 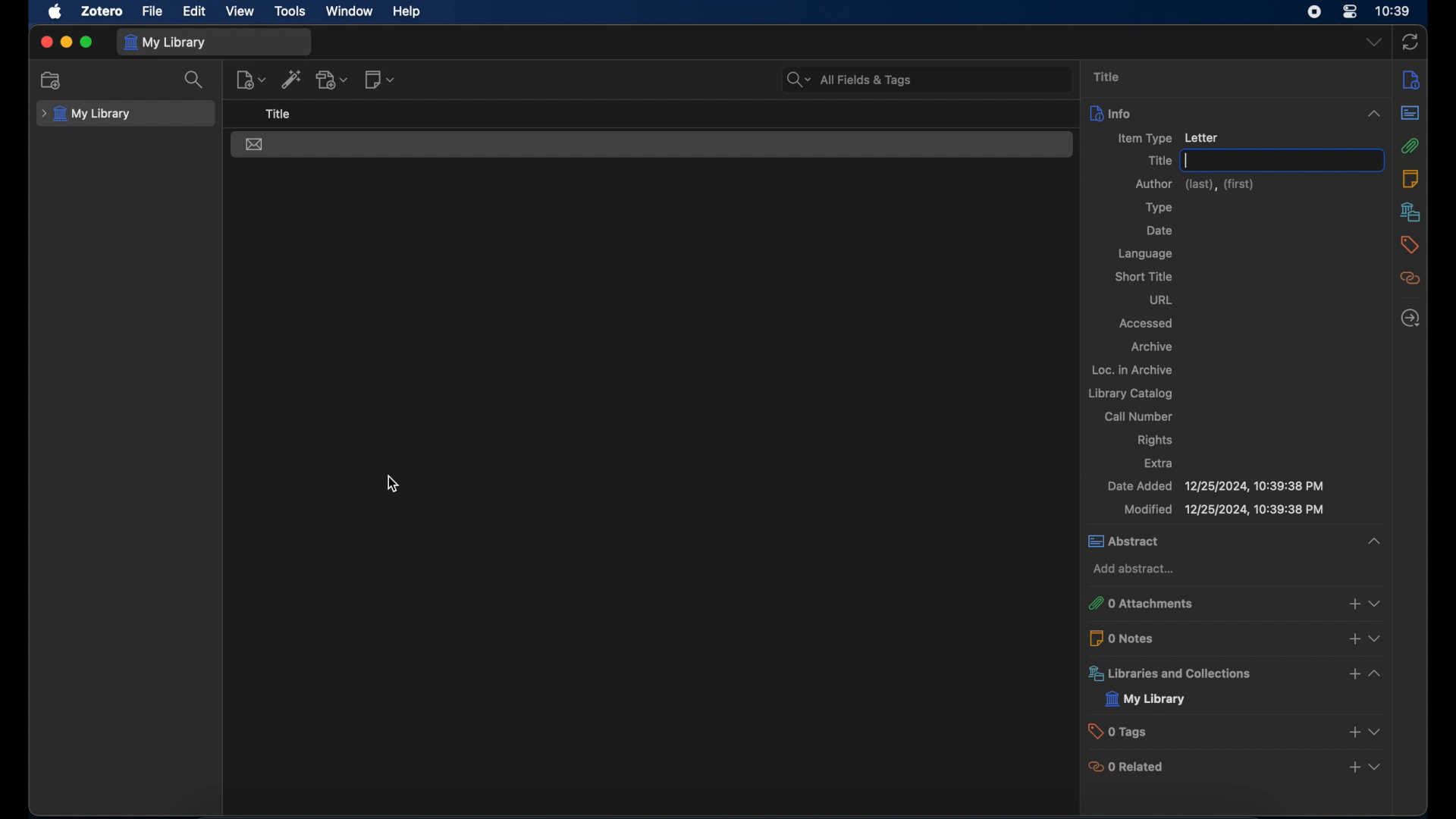 What do you see at coordinates (1128, 768) in the screenshot?
I see `0 related` at bounding box center [1128, 768].